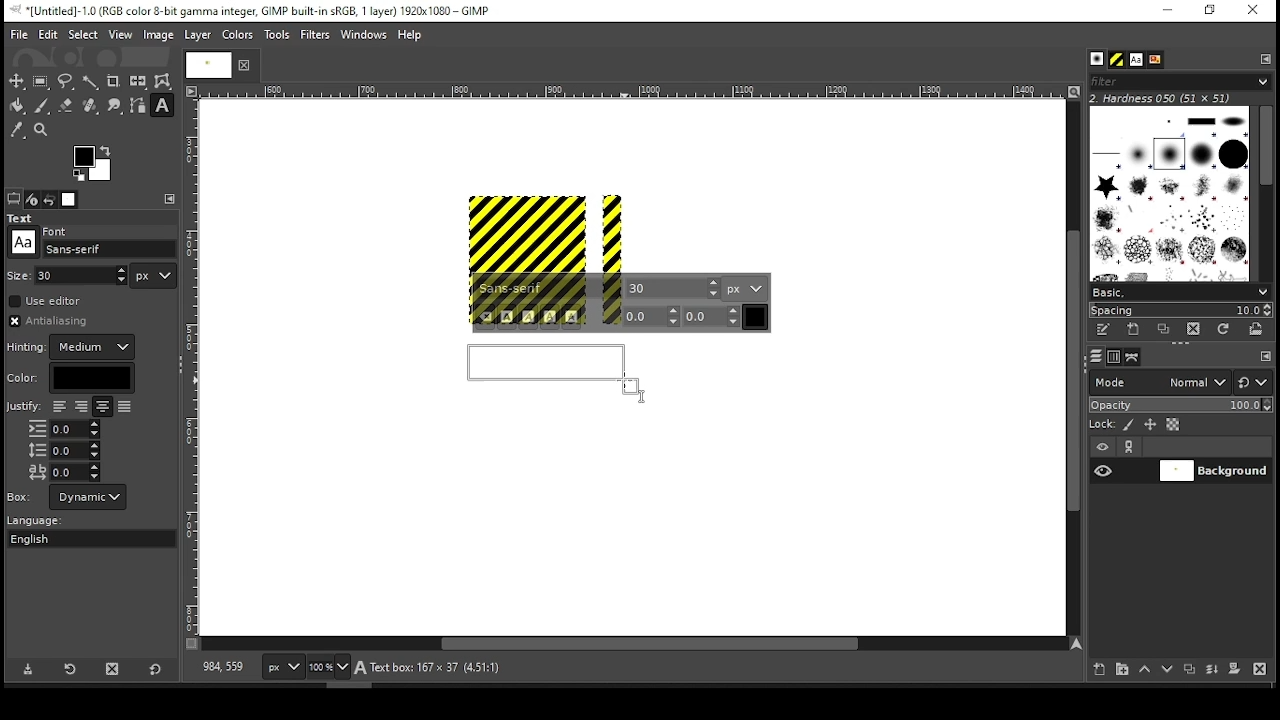 Image resolution: width=1280 pixels, height=720 pixels. Describe the element at coordinates (16, 132) in the screenshot. I see `color picker tool` at that location.